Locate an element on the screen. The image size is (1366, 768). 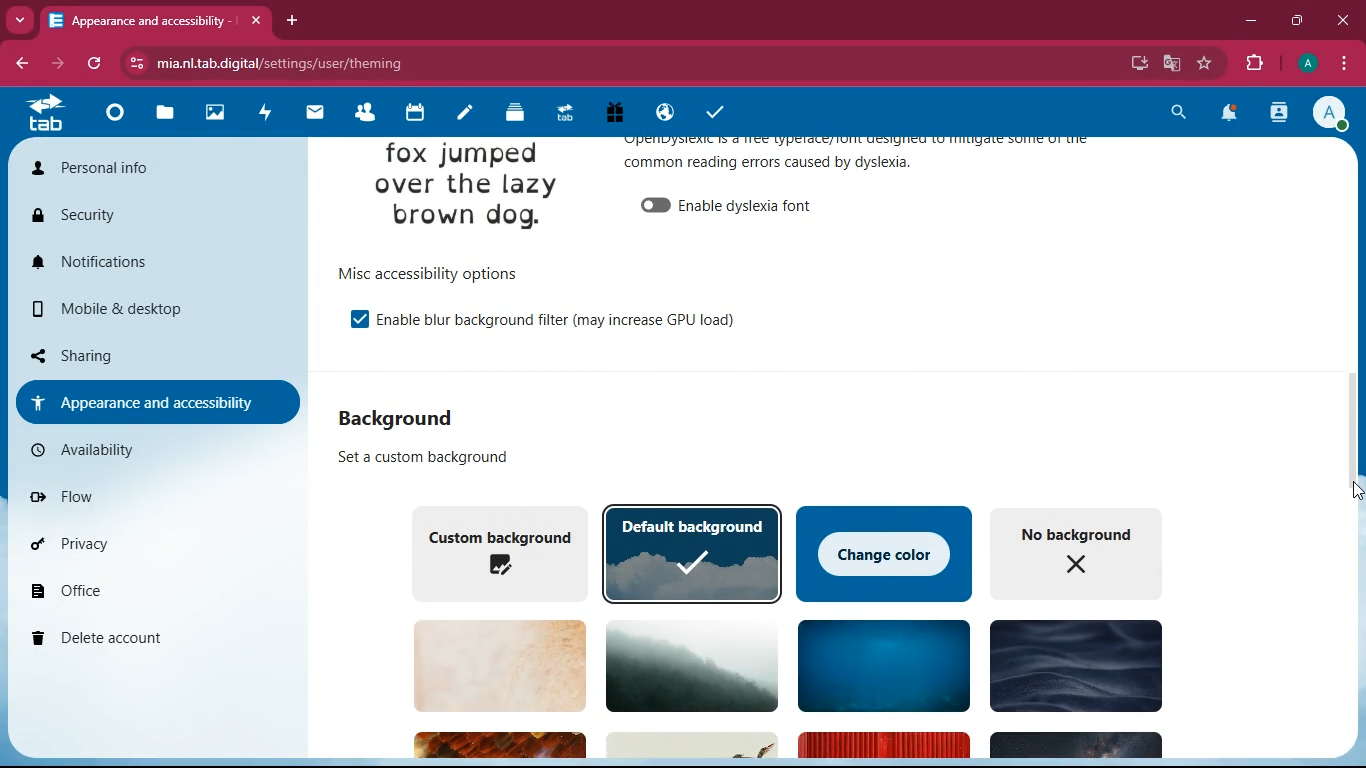
enable is located at coordinates (760, 207).